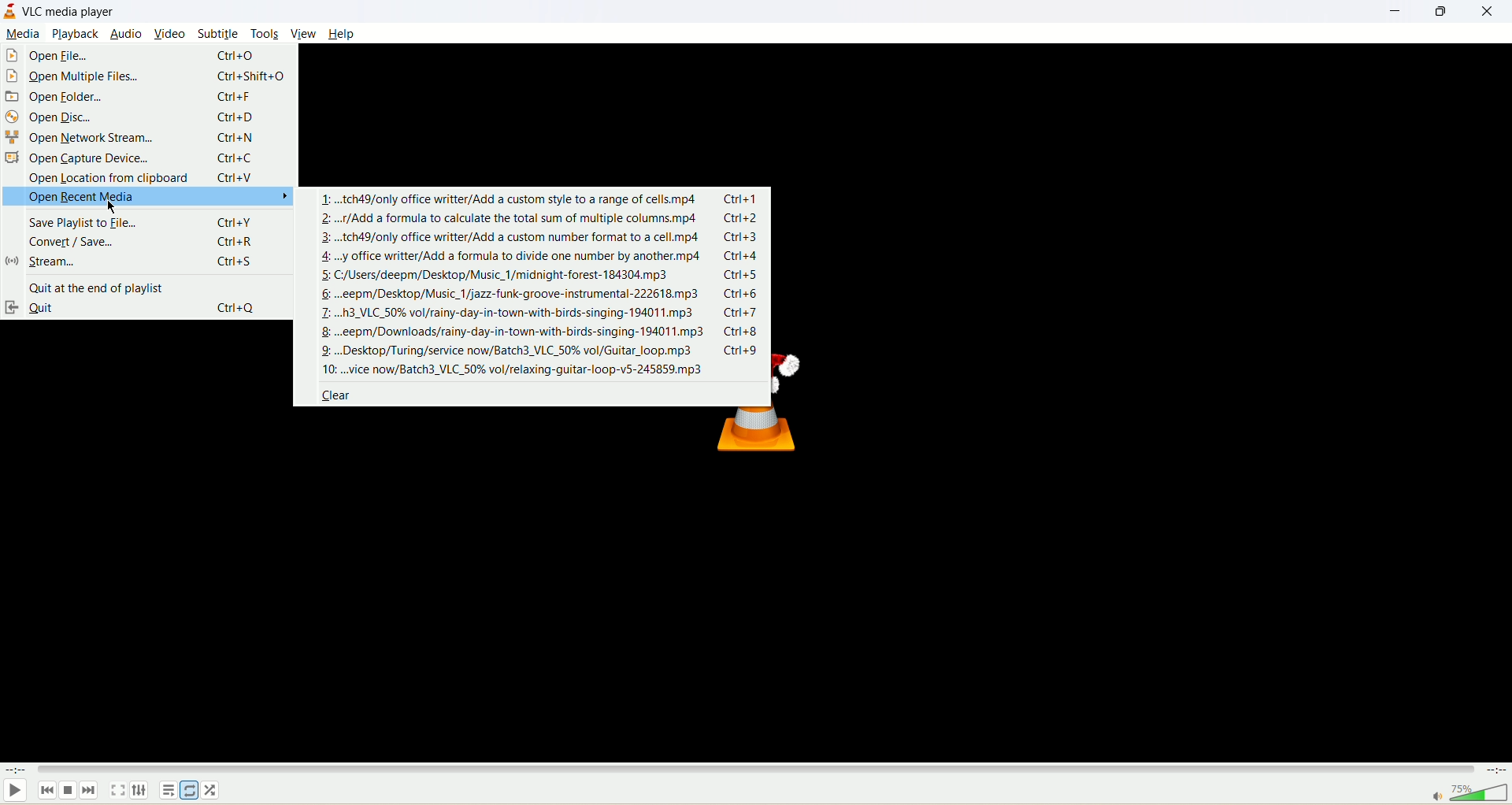  What do you see at coordinates (188, 789) in the screenshot?
I see `loop` at bounding box center [188, 789].